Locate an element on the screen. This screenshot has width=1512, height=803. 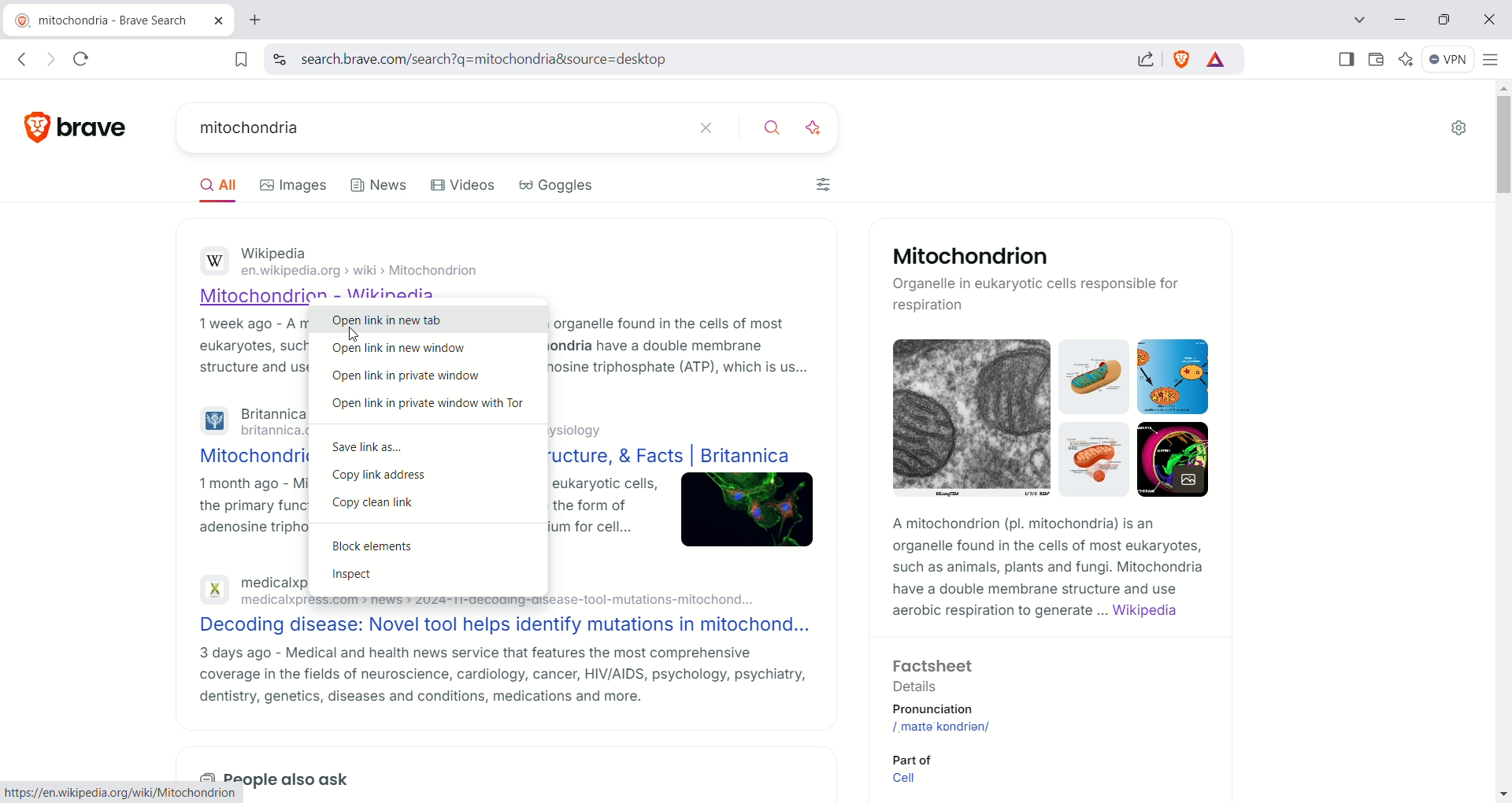
open link in private window is located at coordinates (405, 377).